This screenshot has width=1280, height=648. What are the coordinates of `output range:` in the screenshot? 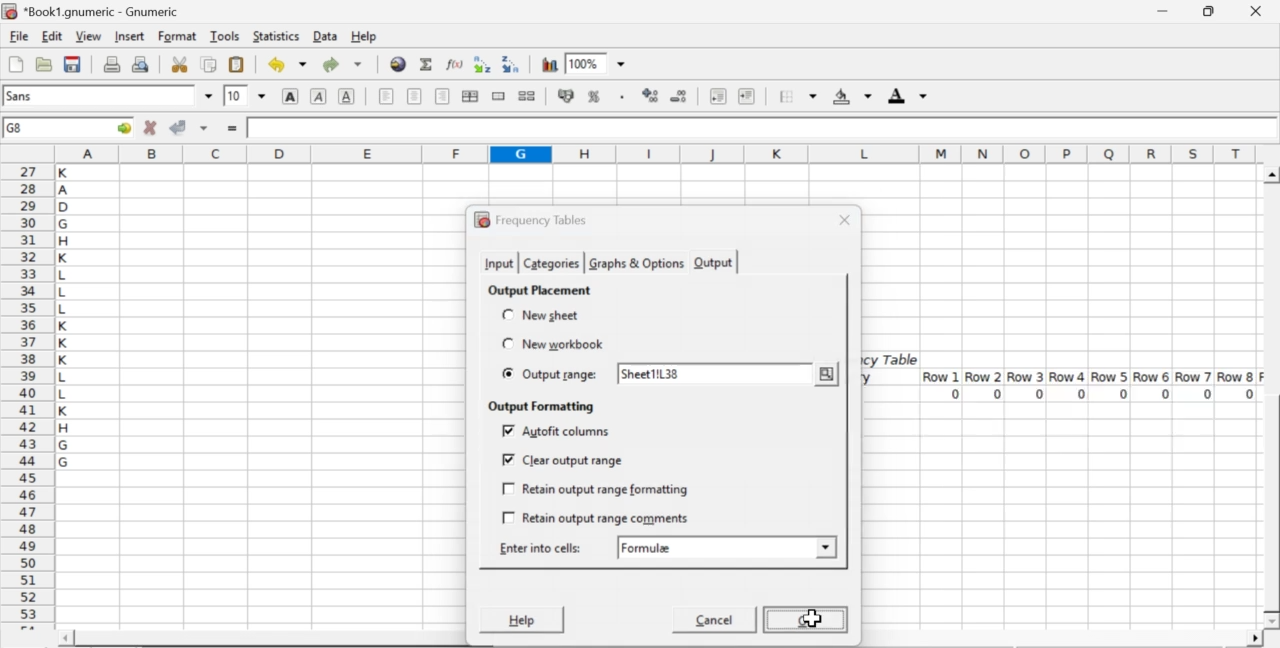 It's located at (551, 375).